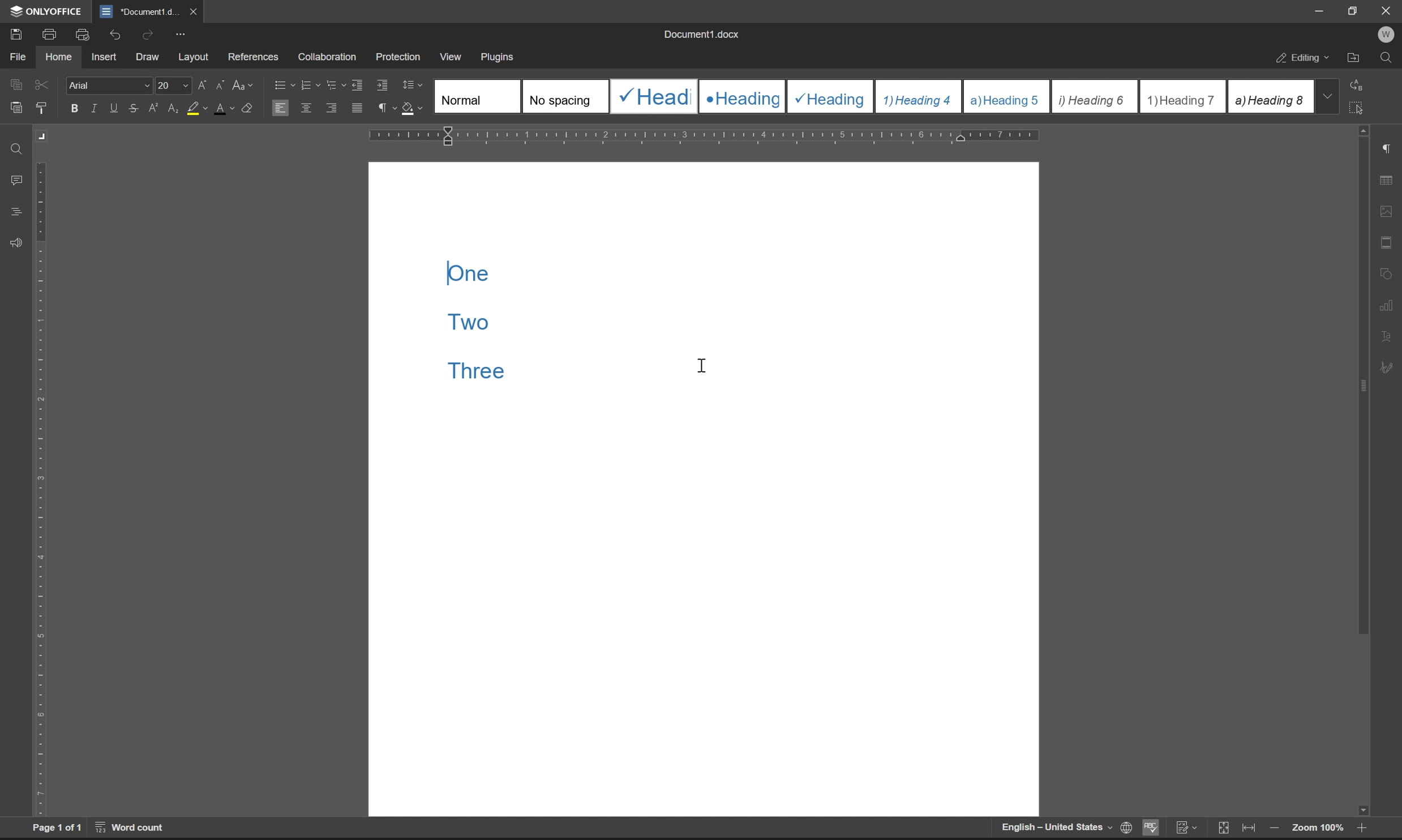 The width and height of the screenshot is (1402, 840). What do you see at coordinates (104, 56) in the screenshot?
I see `insert` at bounding box center [104, 56].